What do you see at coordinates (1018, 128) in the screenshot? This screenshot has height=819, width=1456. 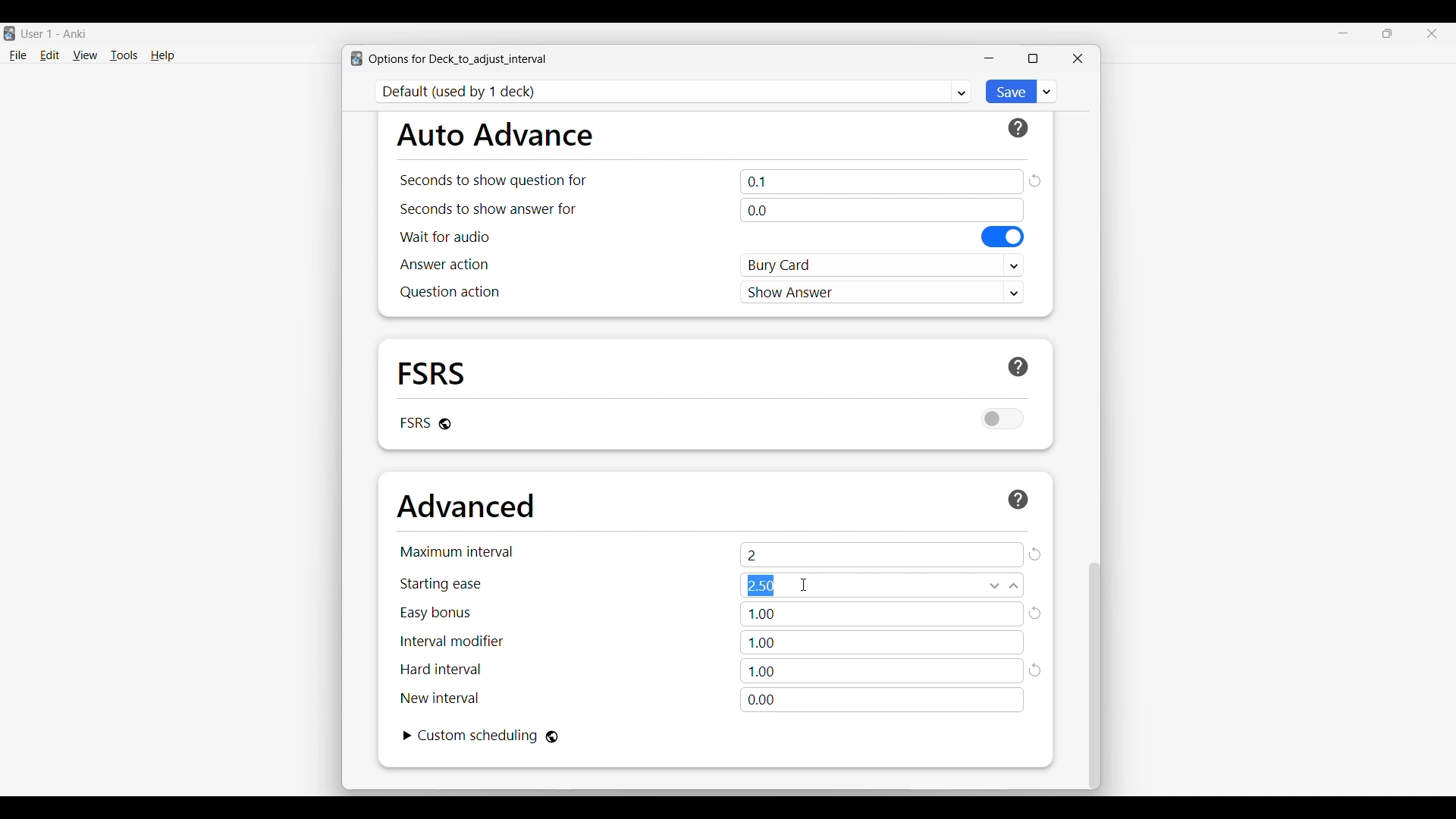 I see `Learn more about respective section` at bounding box center [1018, 128].